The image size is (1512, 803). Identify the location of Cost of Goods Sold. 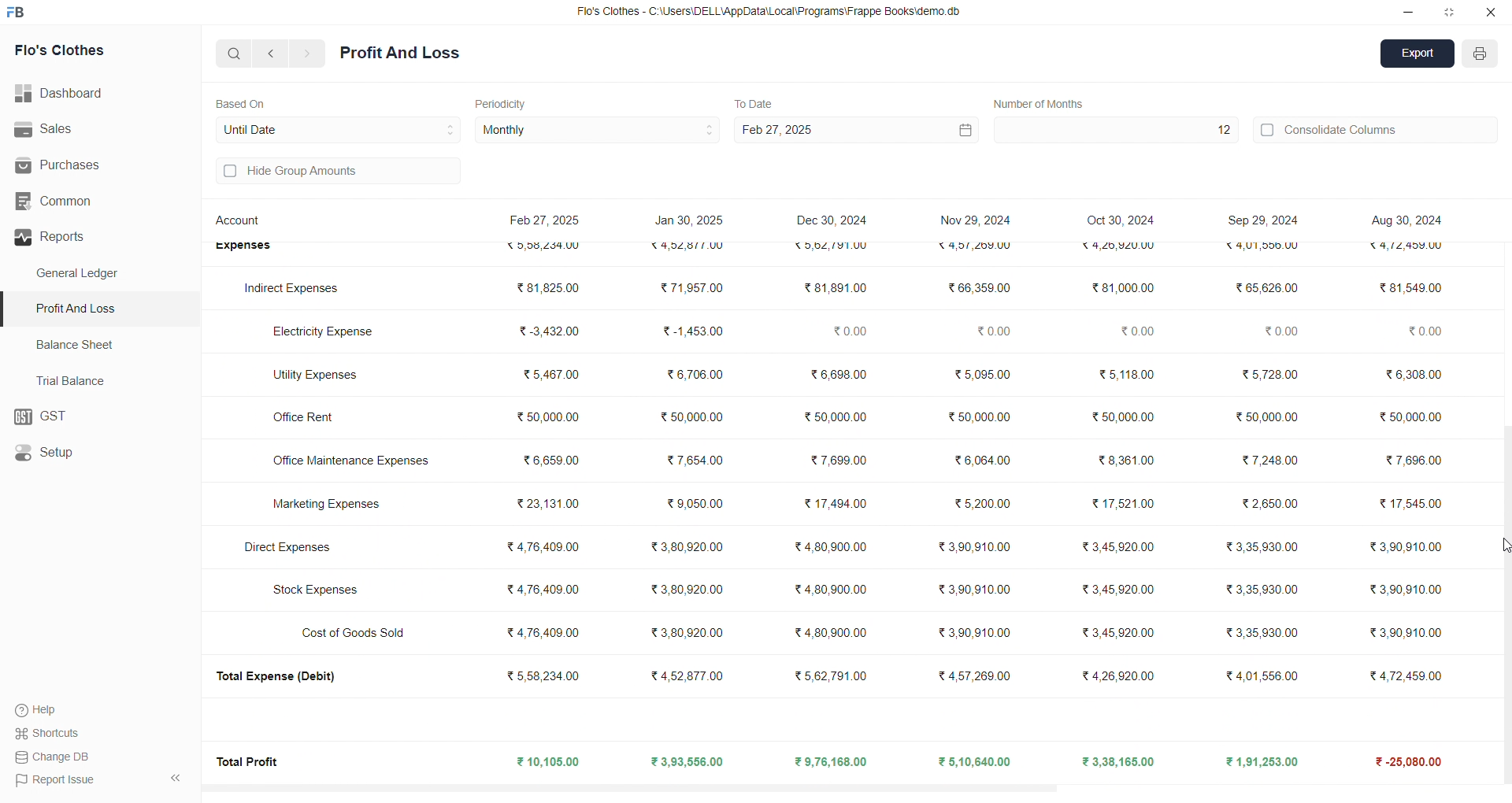
(358, 632).